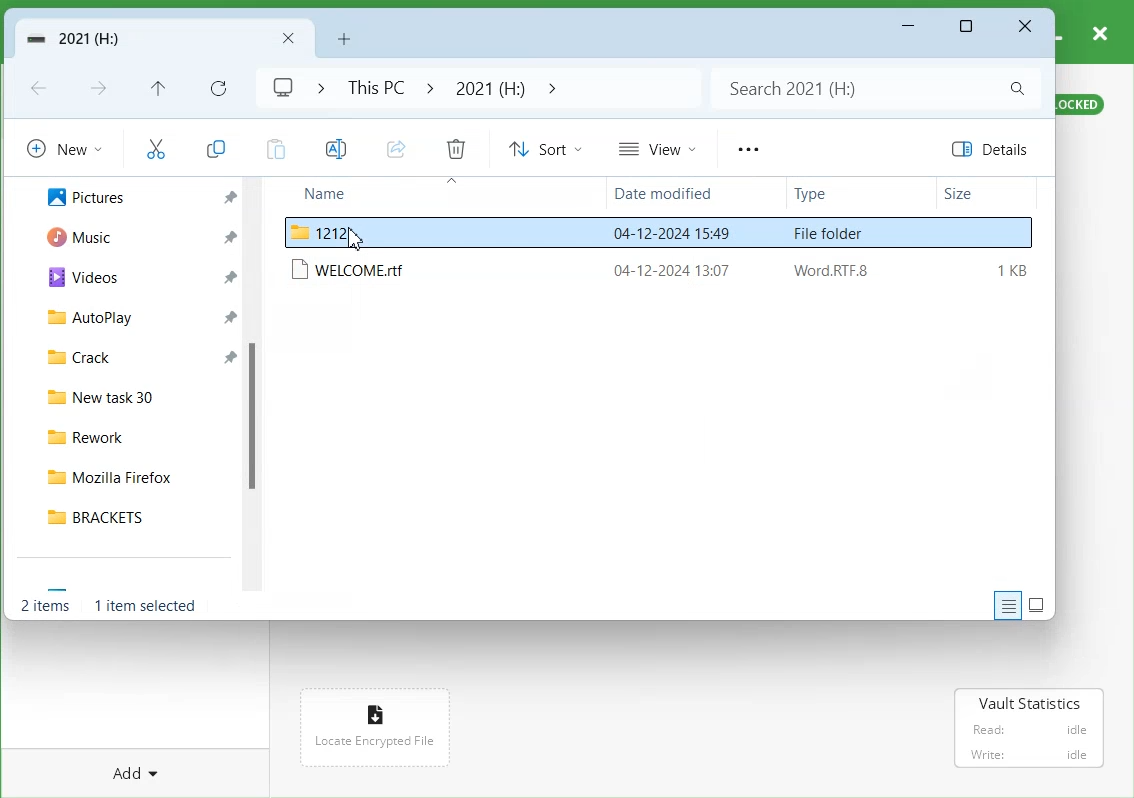 Image resolution: width=1134 pixels, height=798 pixels. What do you see at coordinates (135, 478) in the screenshot?
I see `Mozilla Firefox` at bounding box center [135, 478].